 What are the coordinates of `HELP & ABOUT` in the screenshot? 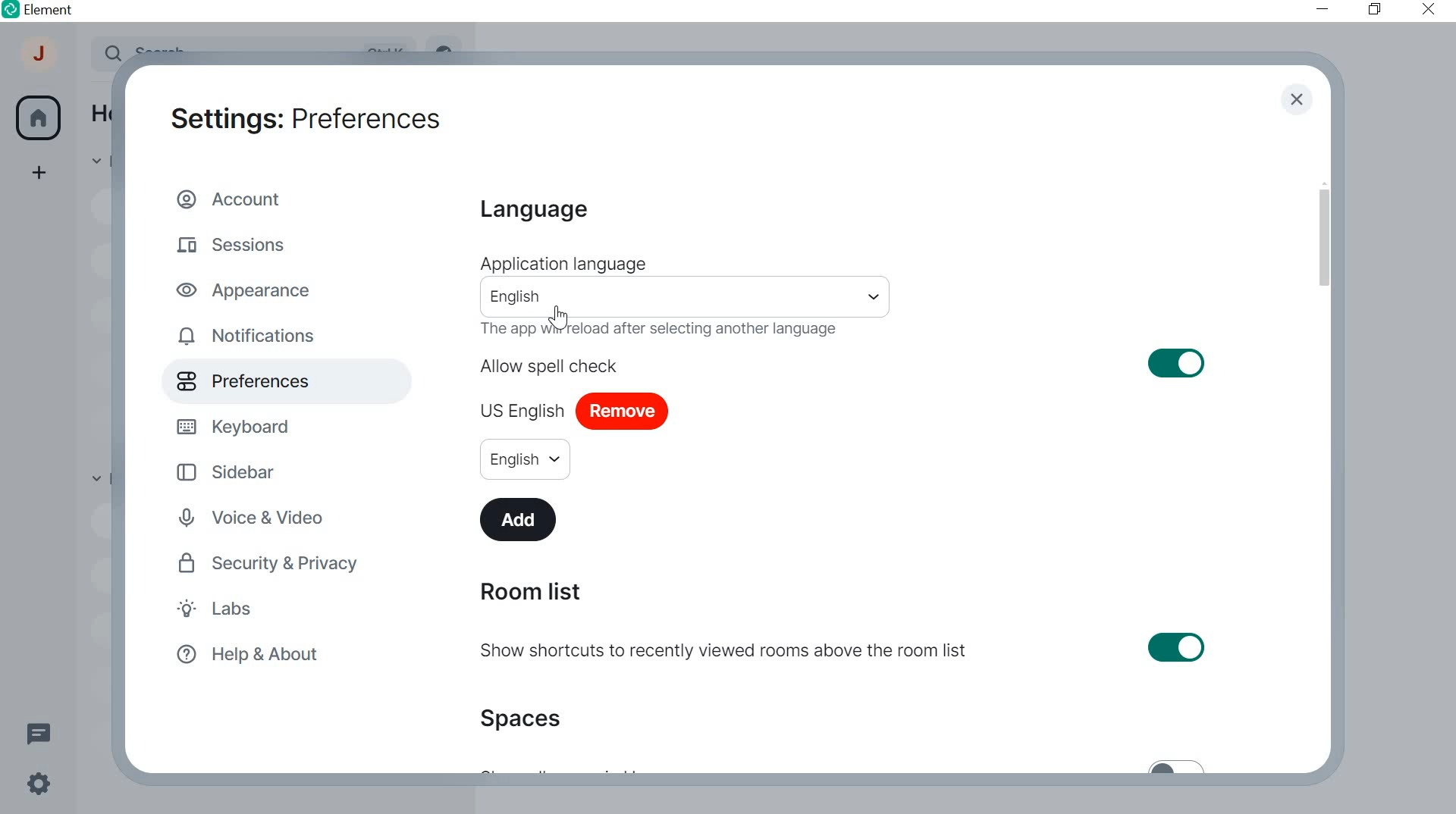 It's located at (245, 656).